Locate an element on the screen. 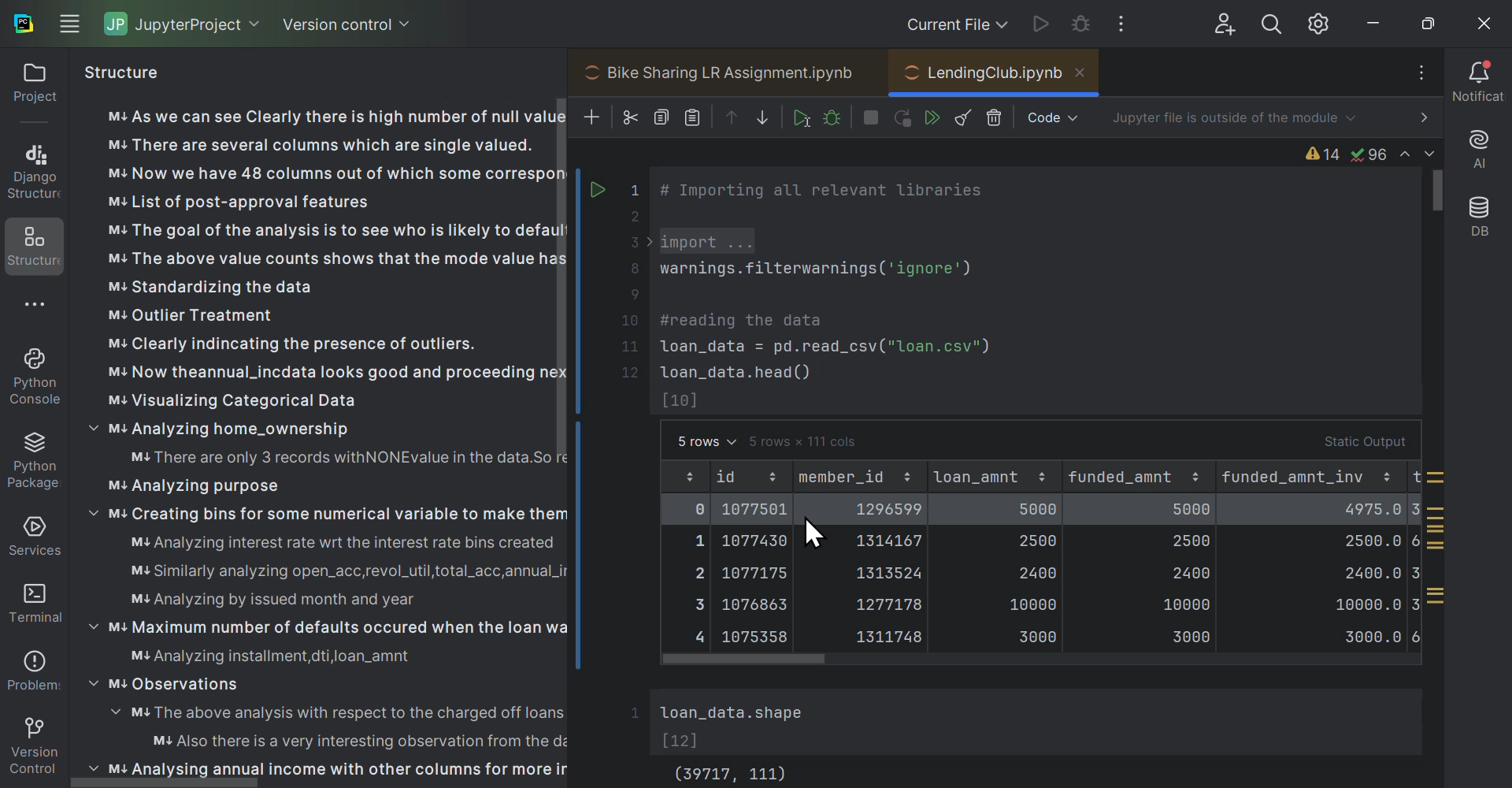 The image size is (1512, 788). Static output is located at coordinates (1040, 541).